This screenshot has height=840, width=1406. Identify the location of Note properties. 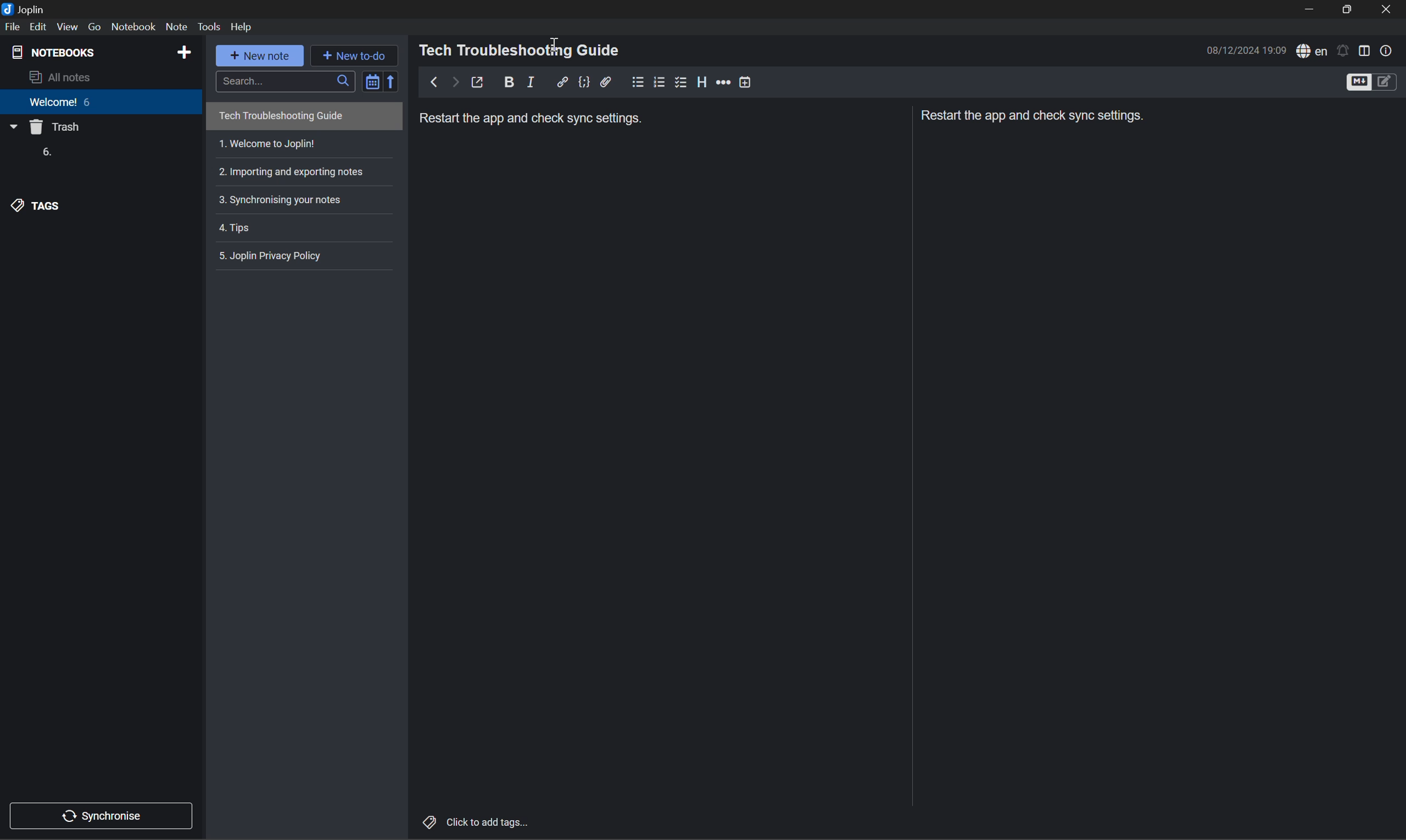
(1386, 50).